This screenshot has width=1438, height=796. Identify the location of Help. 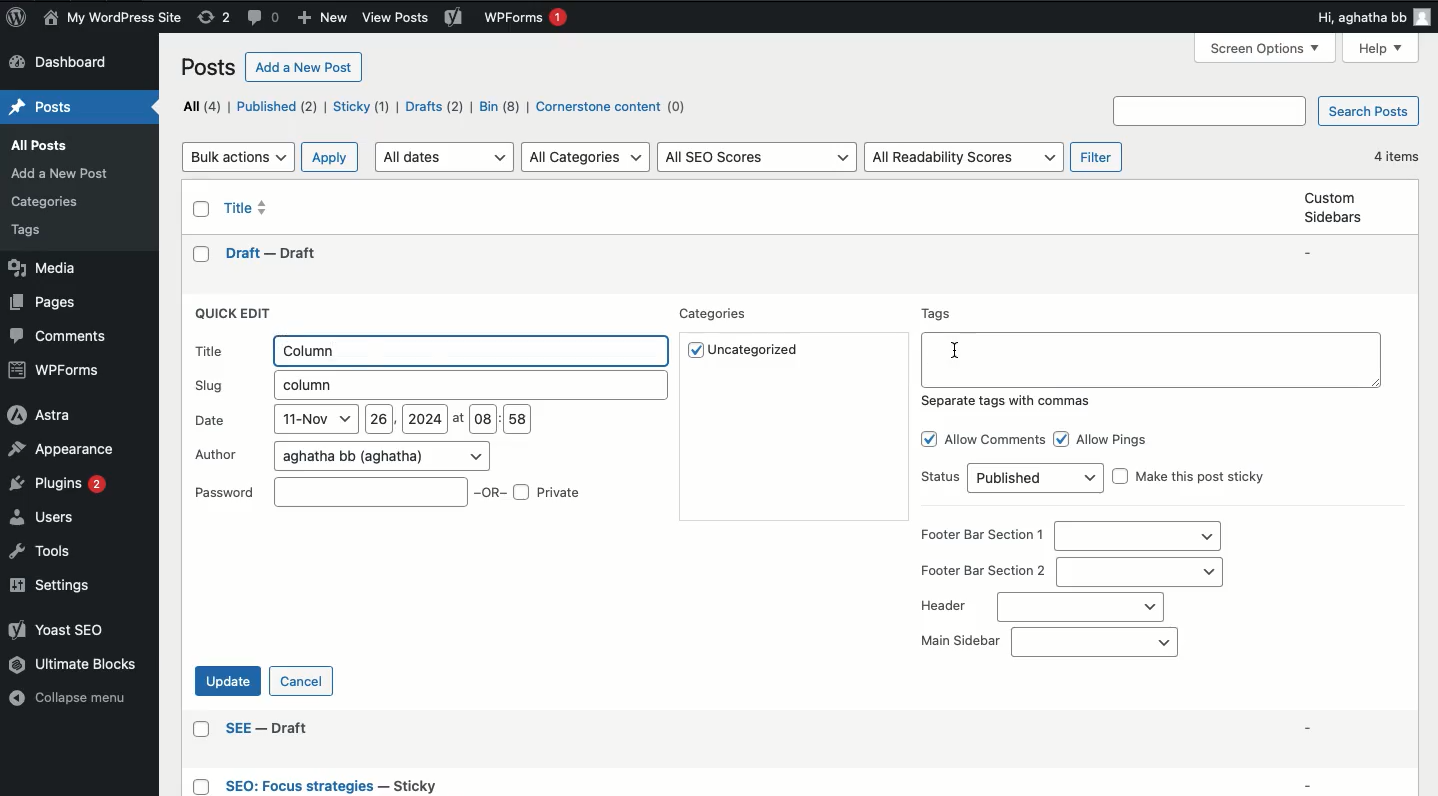
(1380, 49).